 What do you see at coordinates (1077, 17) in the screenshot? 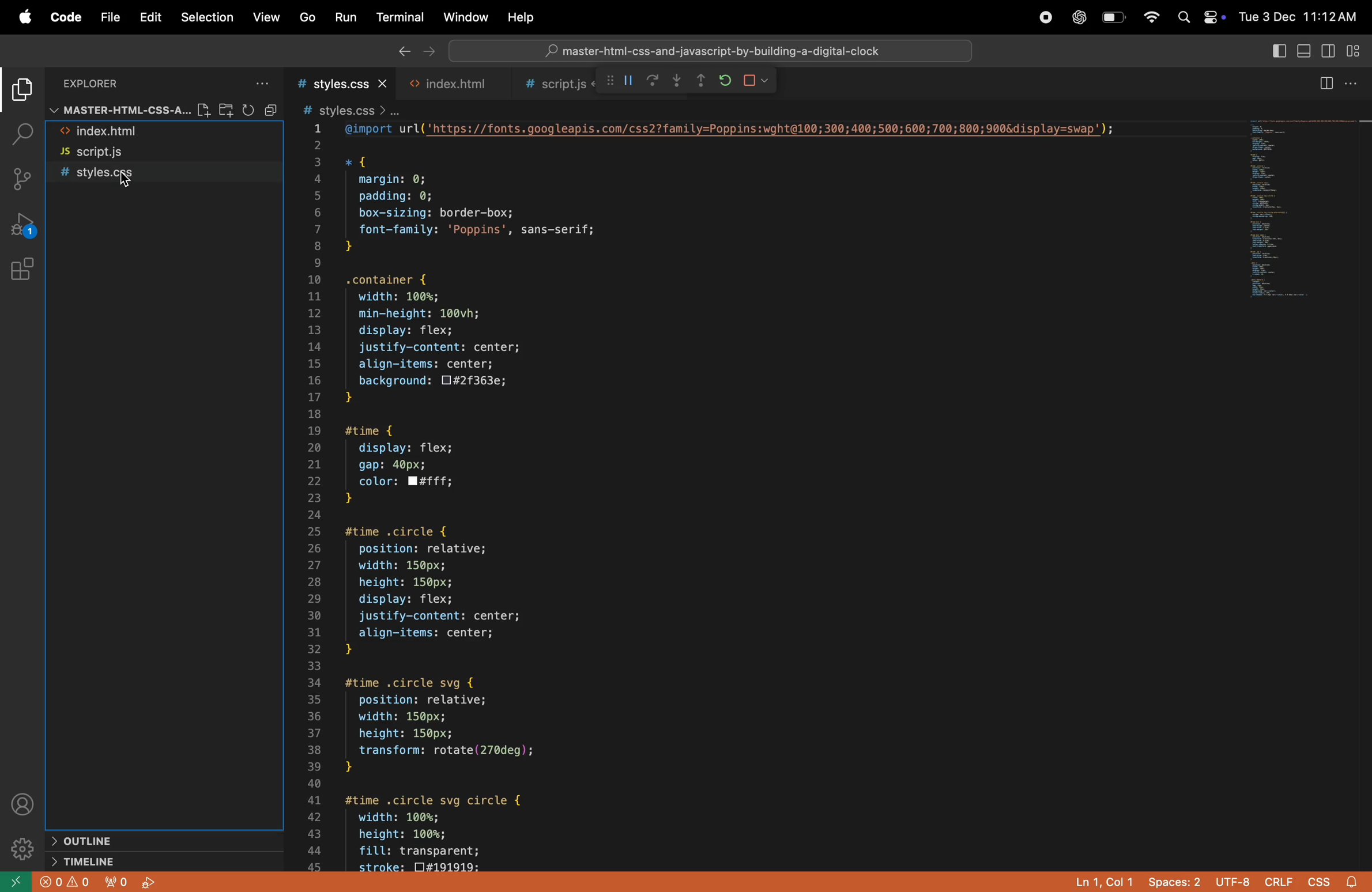
I see `chatgpt` at bounding box center [1077, 17].